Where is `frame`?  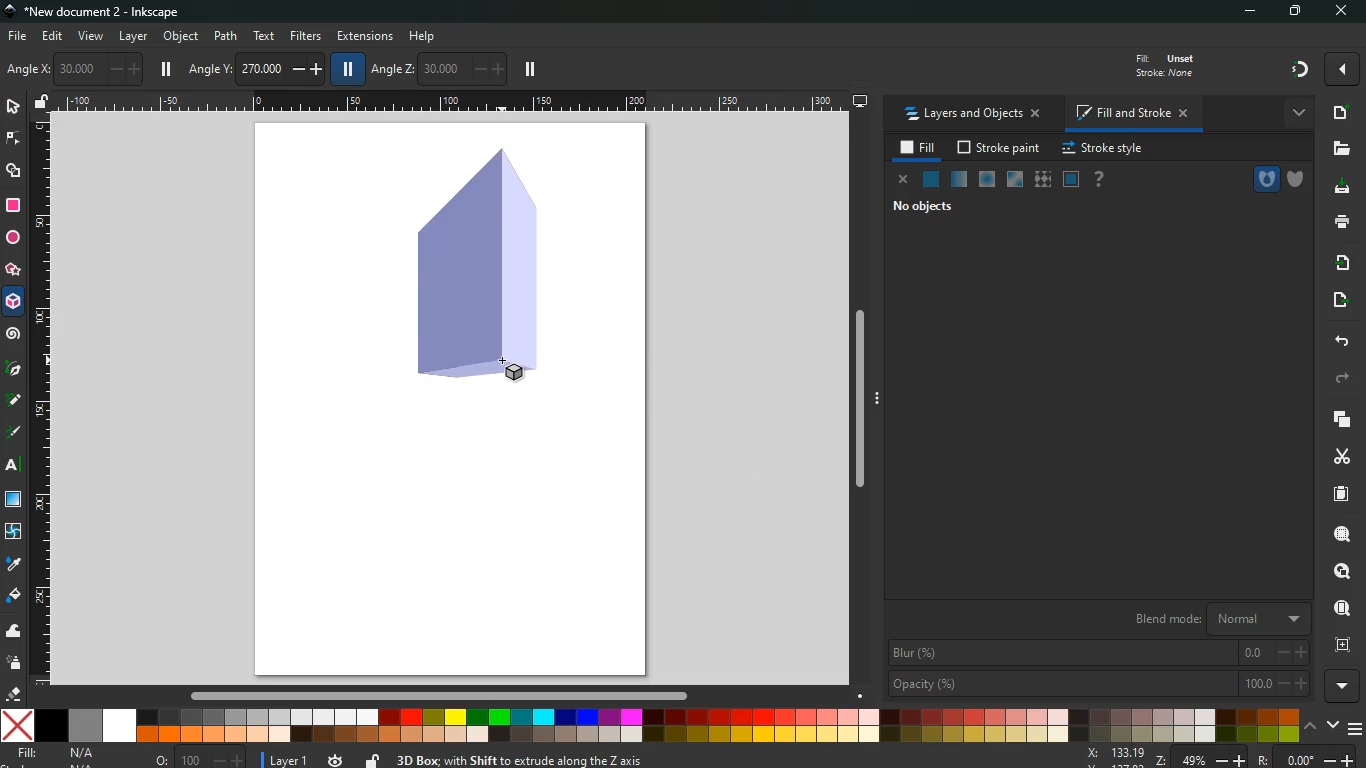 frame is located at coordinates (1071, 180).